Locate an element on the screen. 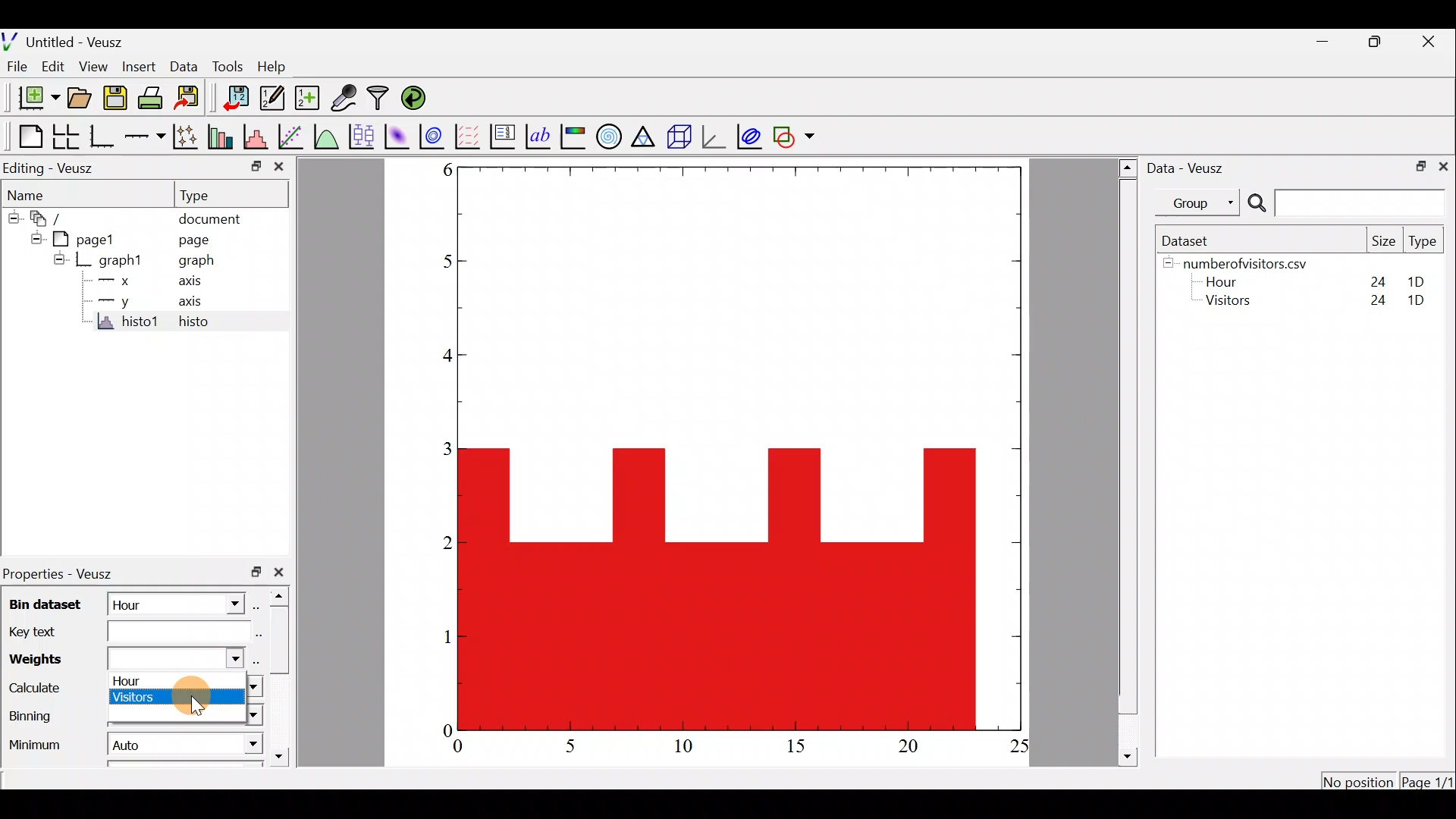  Calculate is located at coordinates (36, 689).